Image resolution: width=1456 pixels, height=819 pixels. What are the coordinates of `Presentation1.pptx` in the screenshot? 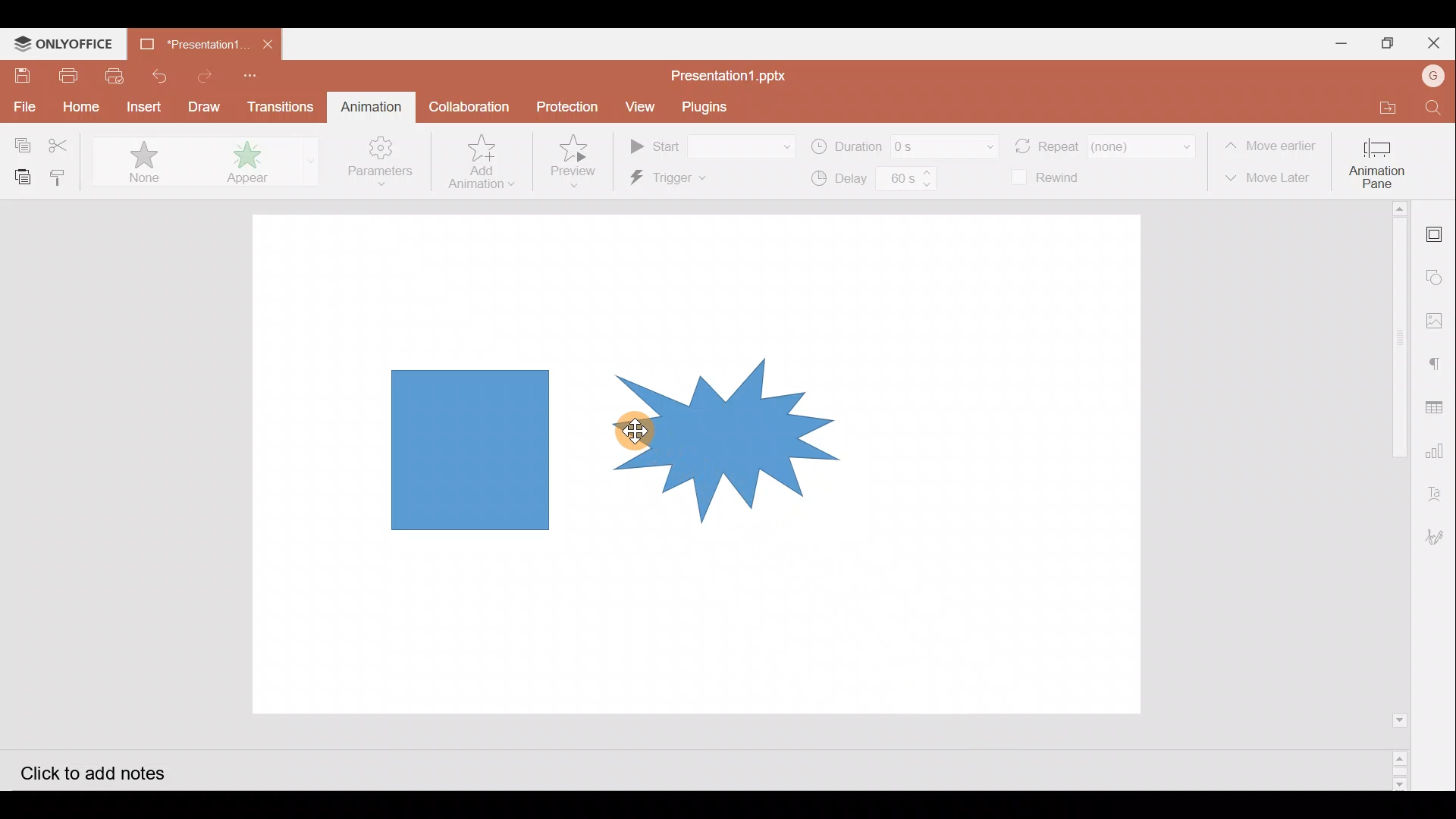 It's located at (728, 73).